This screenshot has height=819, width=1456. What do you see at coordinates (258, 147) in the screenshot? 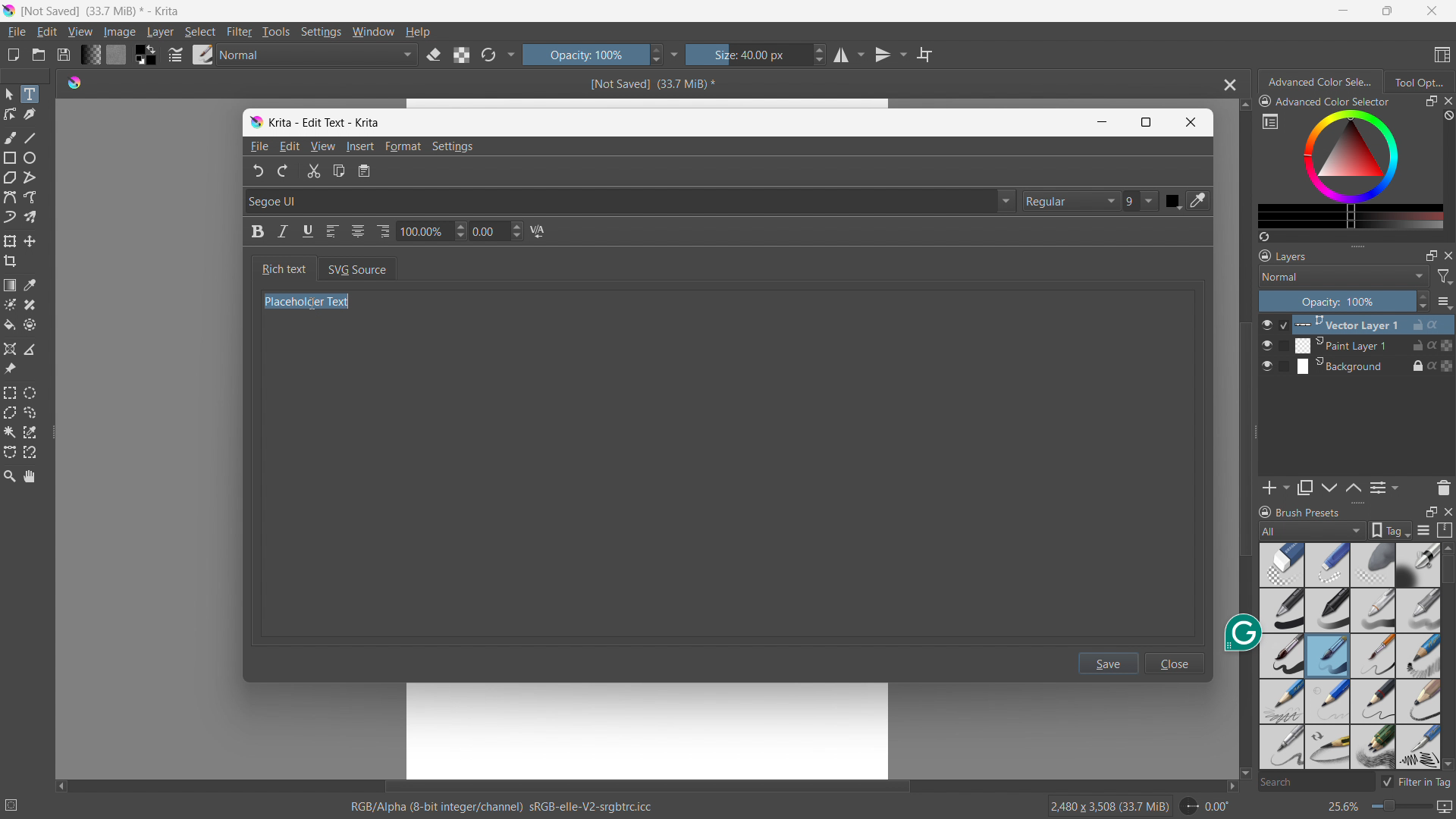
I see `File` at bounding box center [258, 147].